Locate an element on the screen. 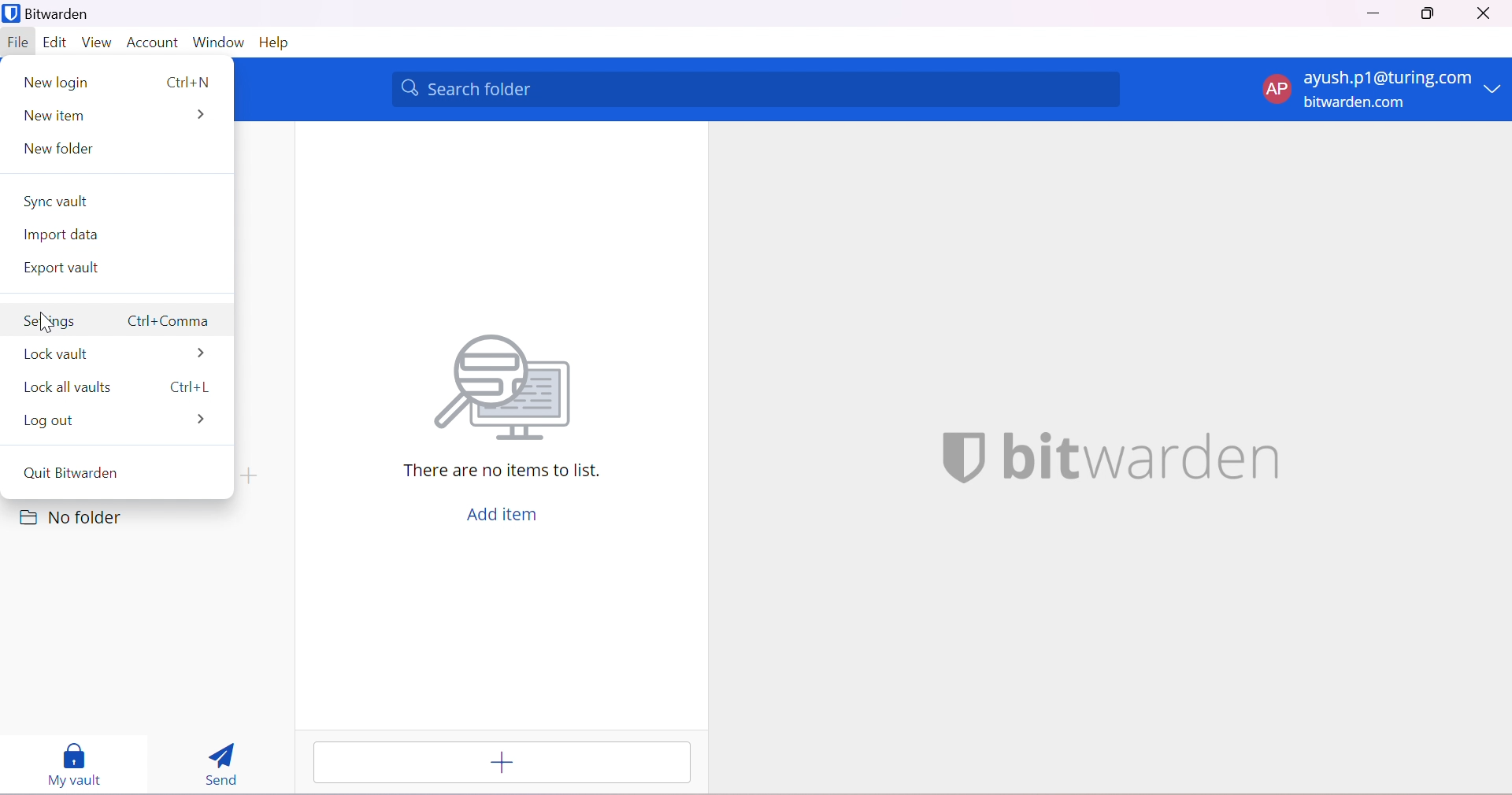 The image size is (1512, 795). Edit is located at coordinates (54, 44).